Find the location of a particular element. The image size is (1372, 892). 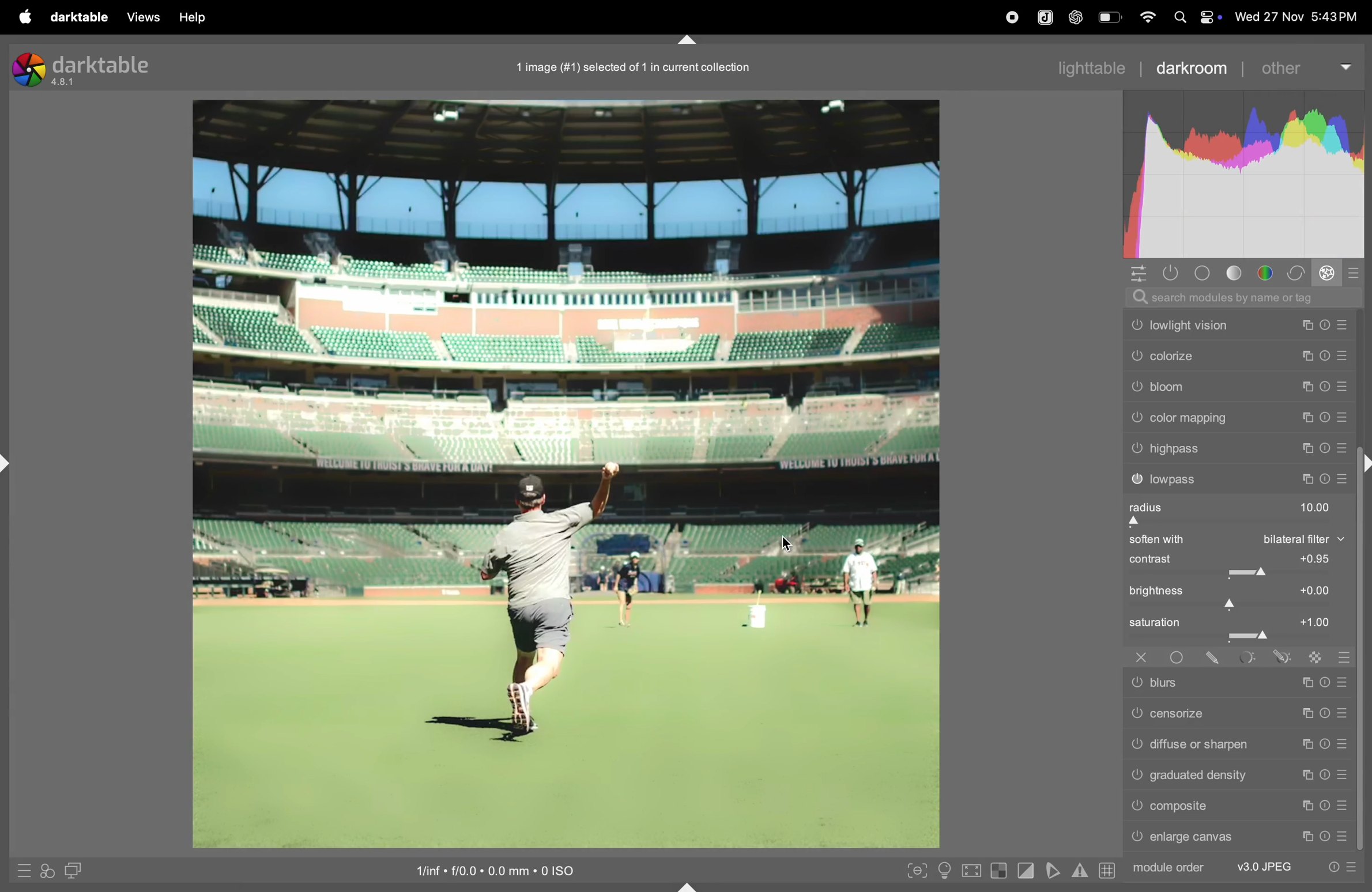

saturation is located at coordinates (1235, 629).